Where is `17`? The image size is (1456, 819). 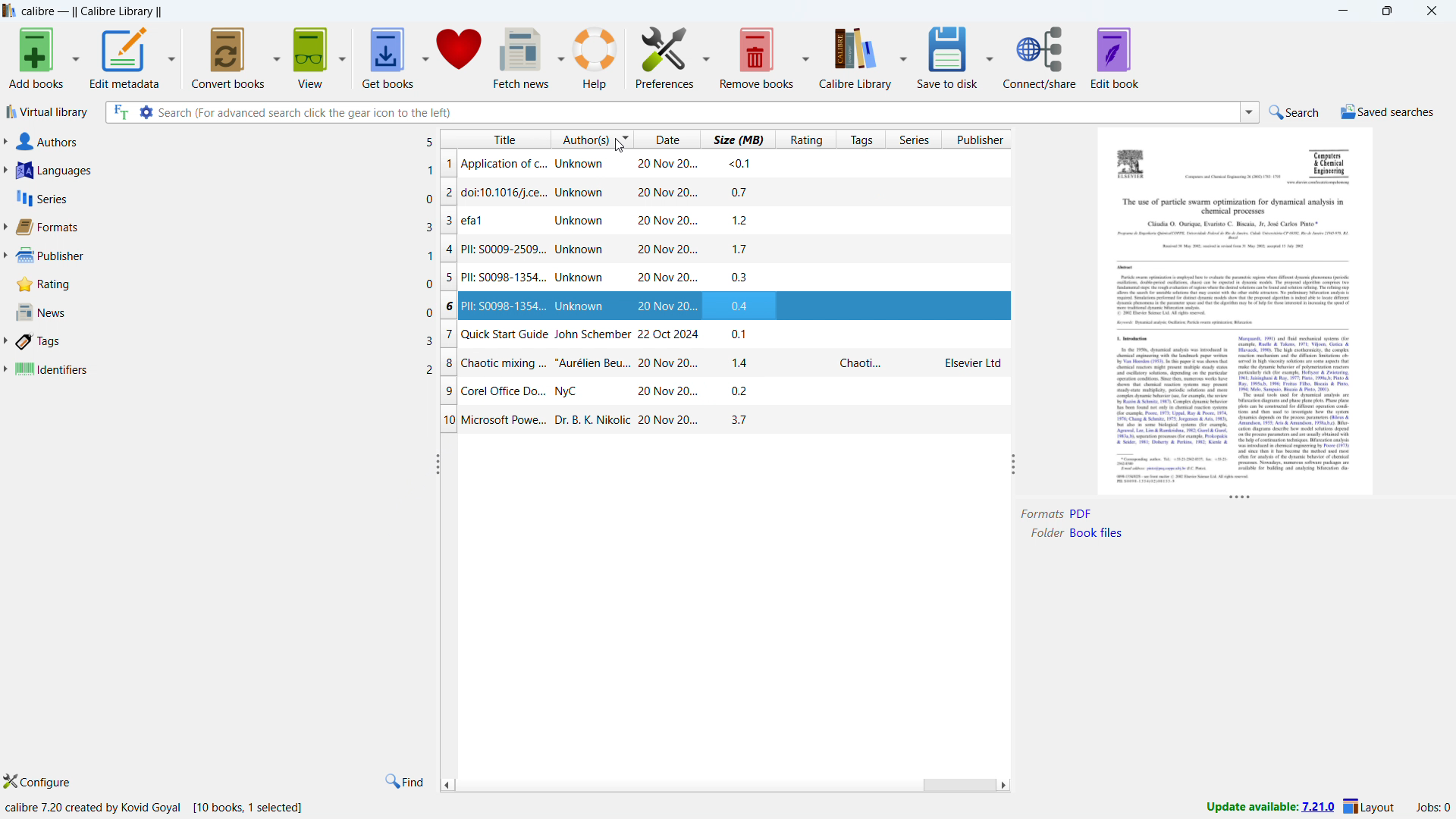 17 is located at coordinates (742, 247).